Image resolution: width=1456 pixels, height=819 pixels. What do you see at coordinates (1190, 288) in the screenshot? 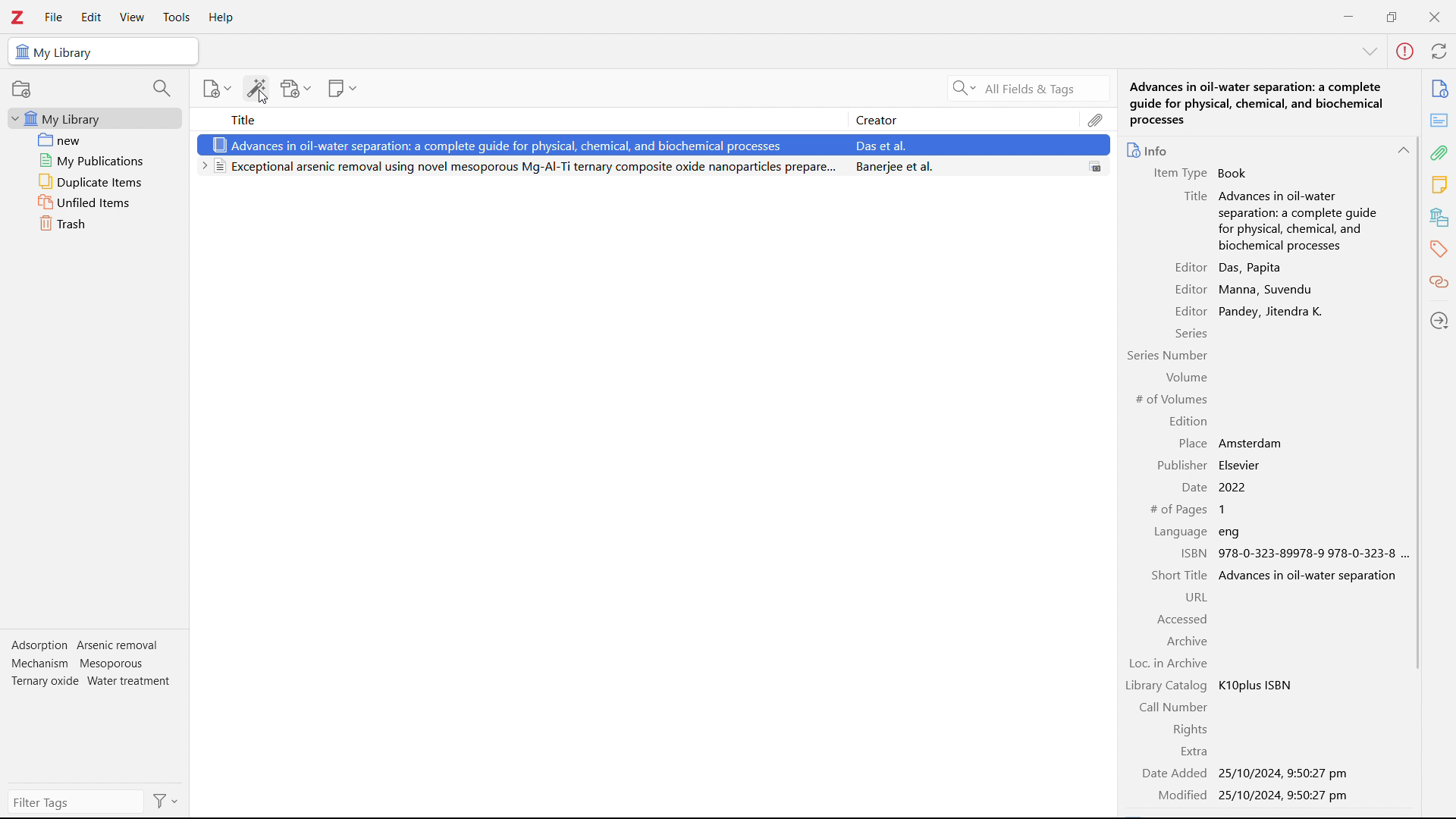
I see `Editor` at bounding box center [1190, 288].